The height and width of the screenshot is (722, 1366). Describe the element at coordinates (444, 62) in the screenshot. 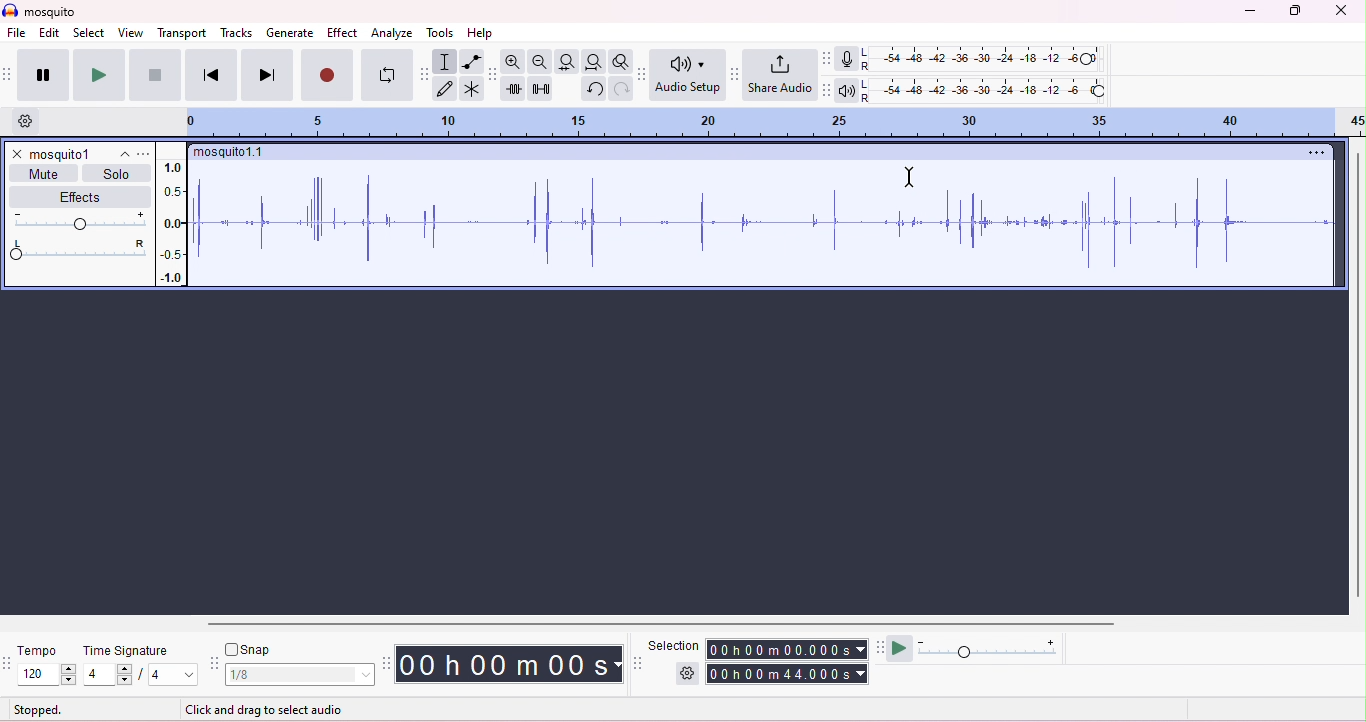

I see `selection` at that location.